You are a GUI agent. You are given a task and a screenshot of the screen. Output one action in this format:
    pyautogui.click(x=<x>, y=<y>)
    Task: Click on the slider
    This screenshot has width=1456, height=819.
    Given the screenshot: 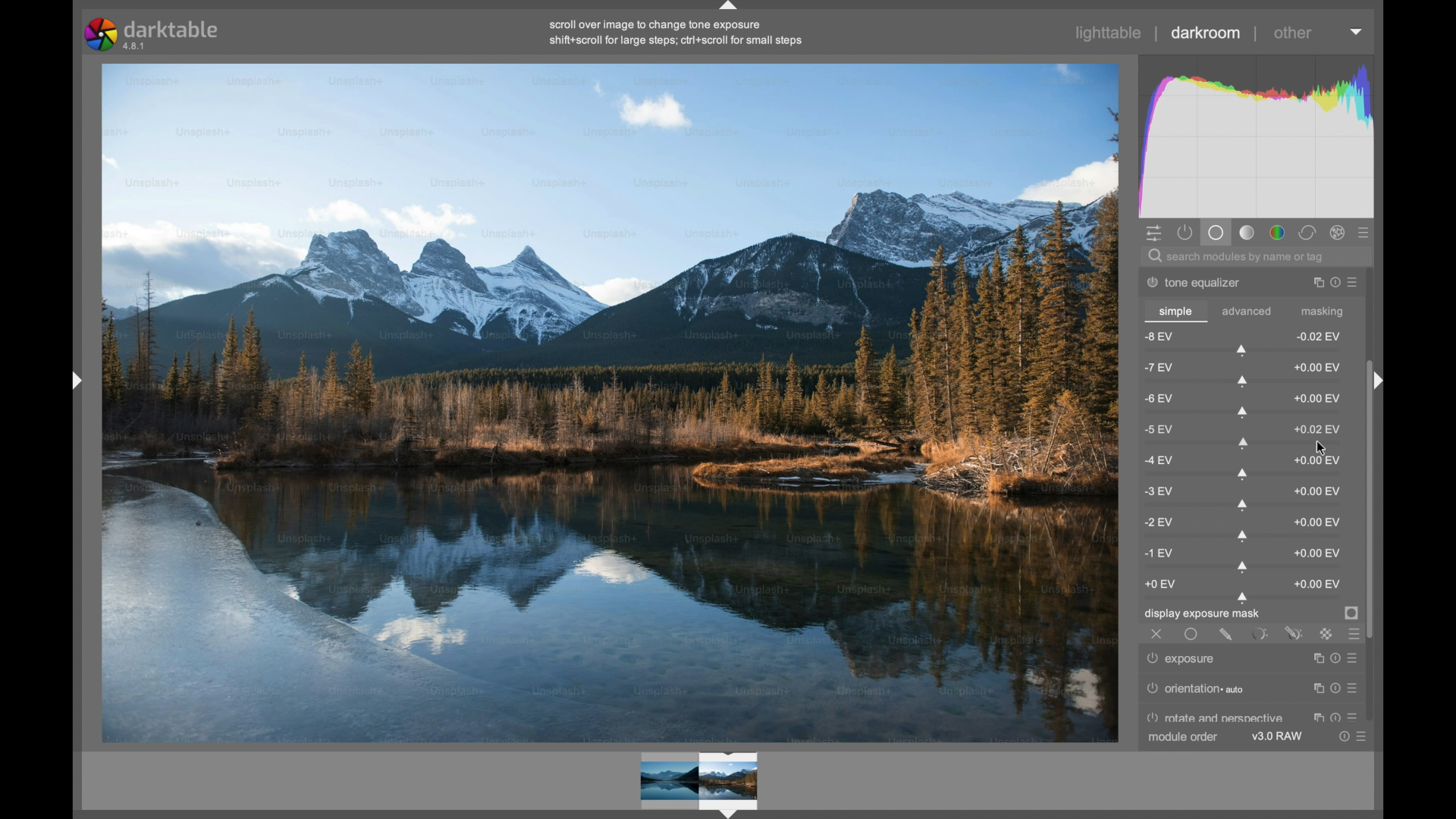 What is the action you would take?
    pyautogui.click(x=1244, y=444)
    